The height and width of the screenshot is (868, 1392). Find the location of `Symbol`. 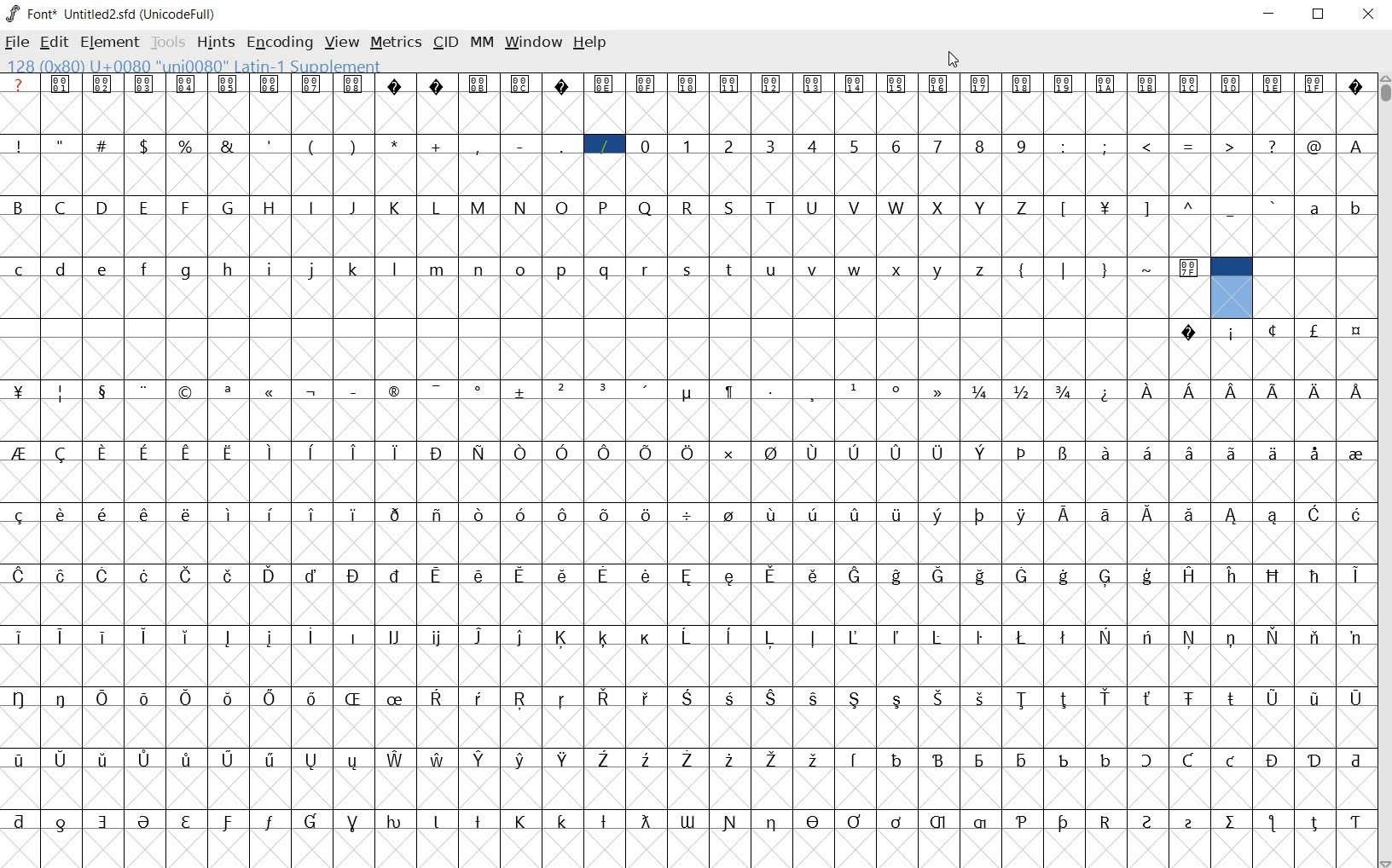

Symbol is located at coordinates (1315, 696).